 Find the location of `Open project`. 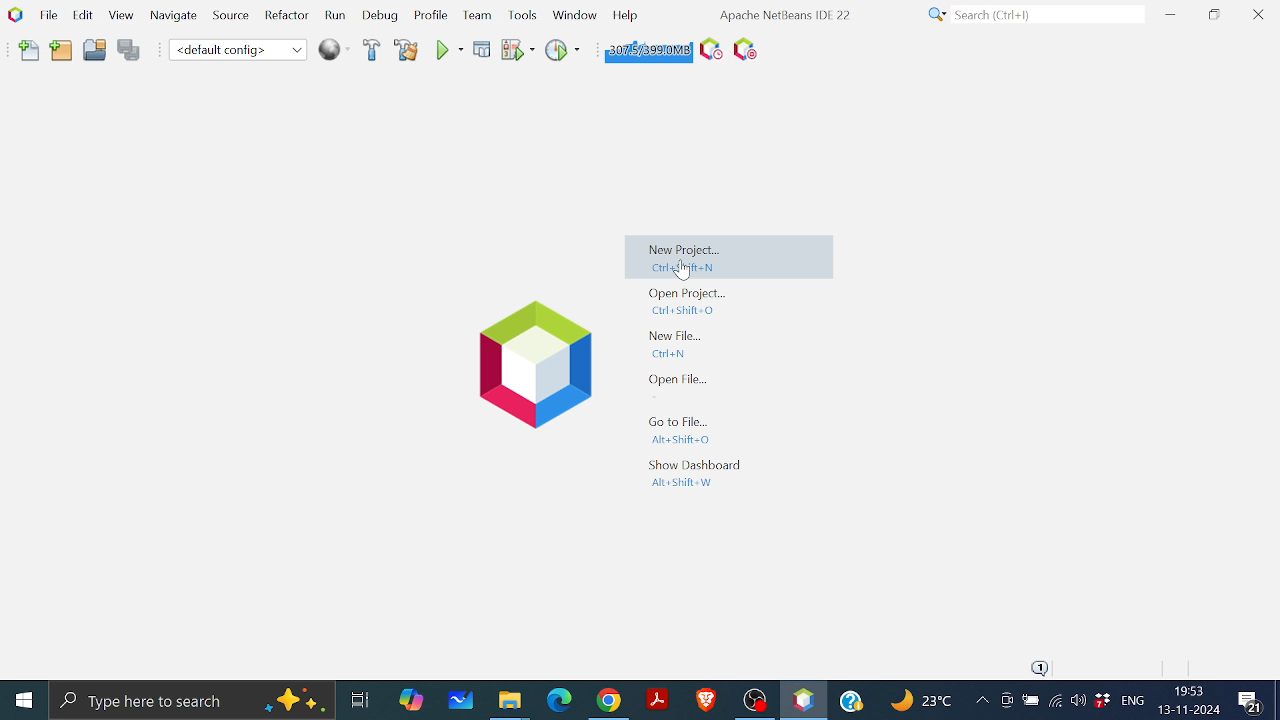

Open project is located at coordinates (95, 53).